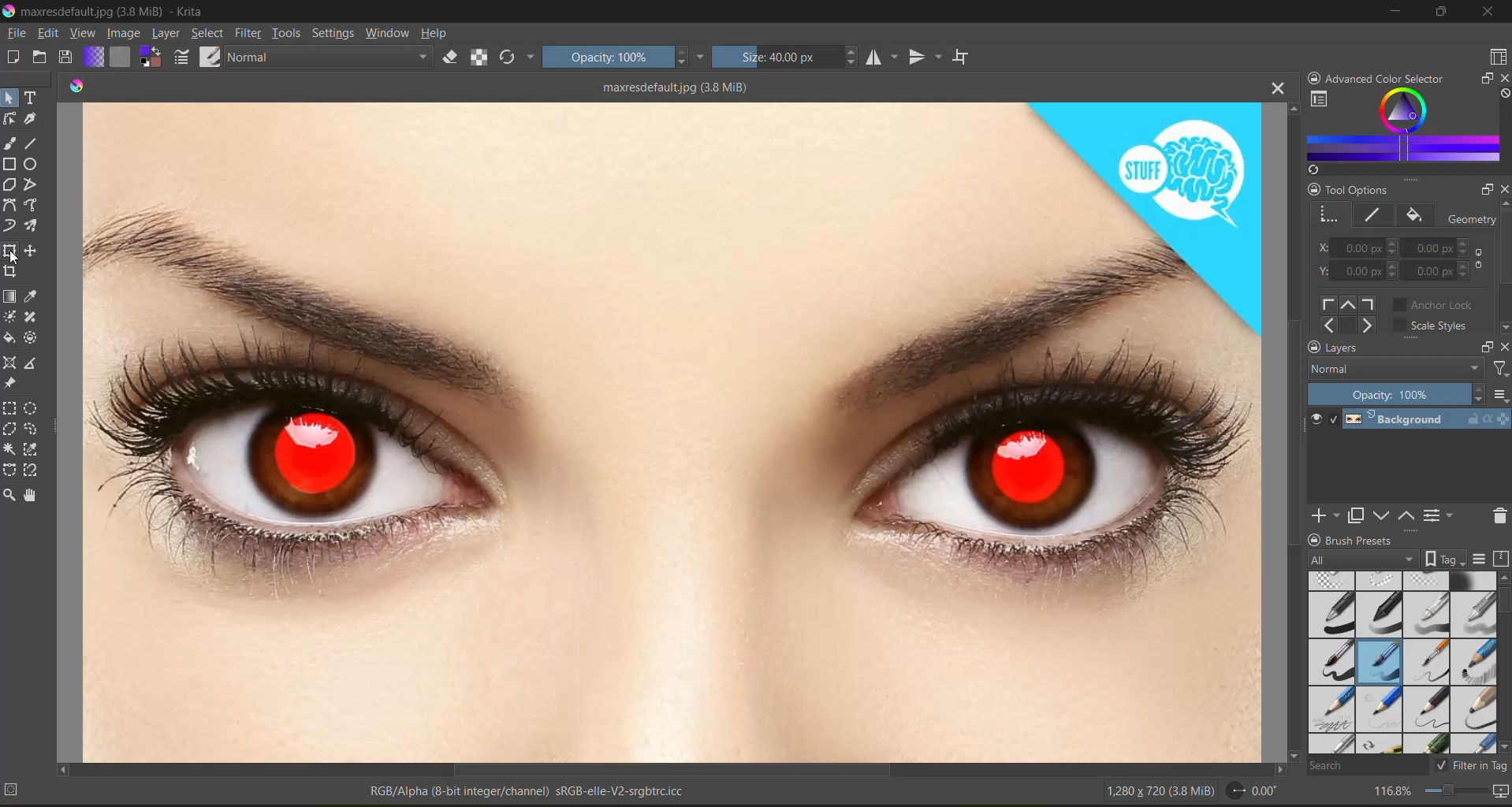 This screenshot has height=807, width=1512. What do you see at coordinates (11, 99) in the screenshot?
I see `tool` at bounding box center [11, 99].